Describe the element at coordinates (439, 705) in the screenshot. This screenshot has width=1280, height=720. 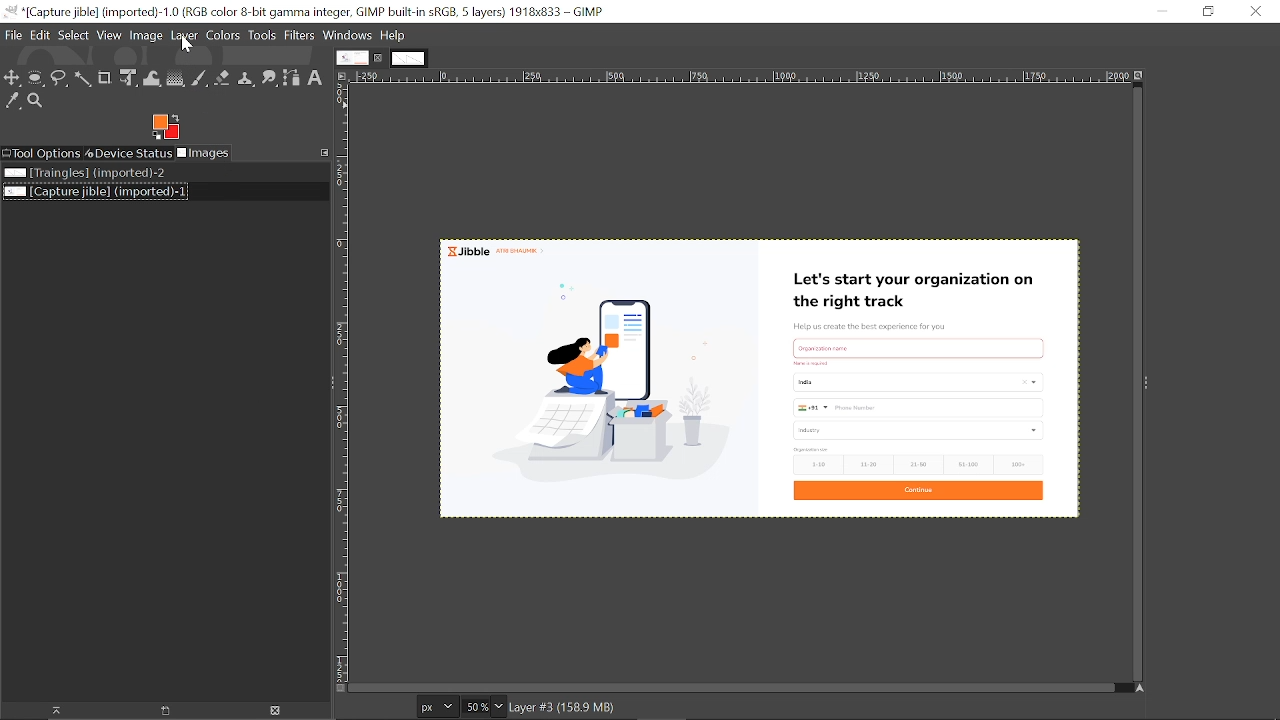
I see `Current image units` at that location.